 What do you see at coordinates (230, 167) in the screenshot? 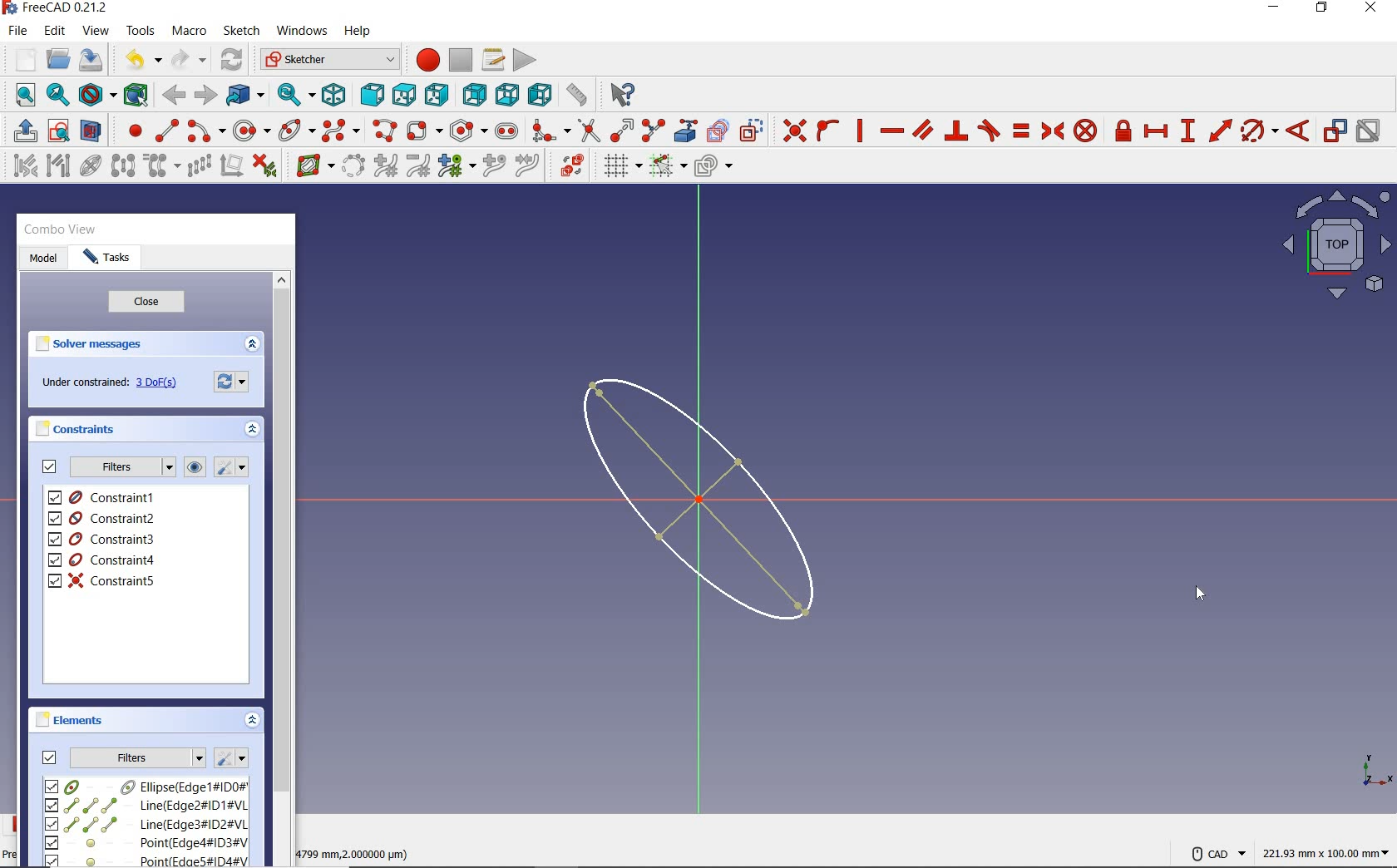
I see `remove axes alignment` at bounding box center [230, 167].